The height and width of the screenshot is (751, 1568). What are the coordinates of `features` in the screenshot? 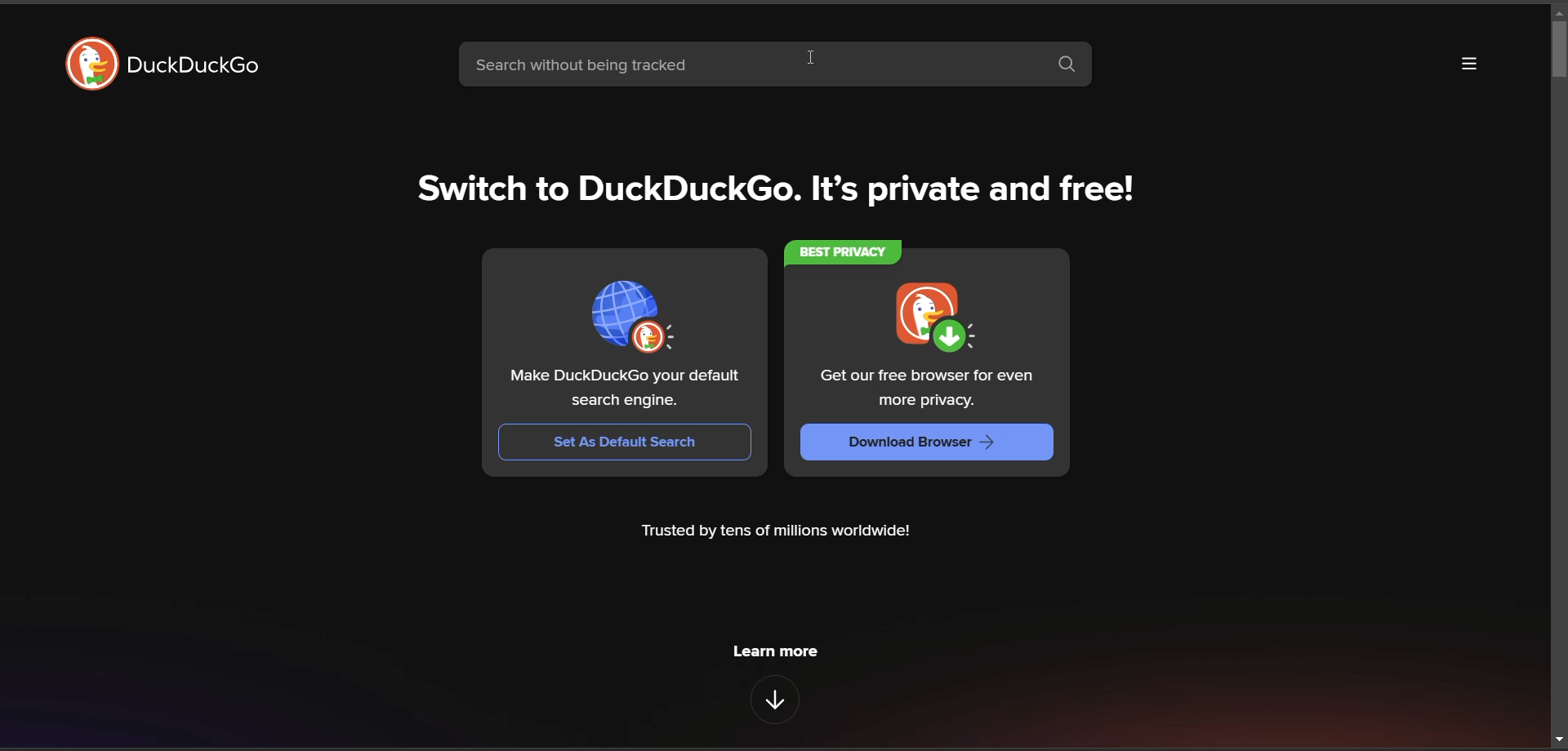 It's located at (774, 700).